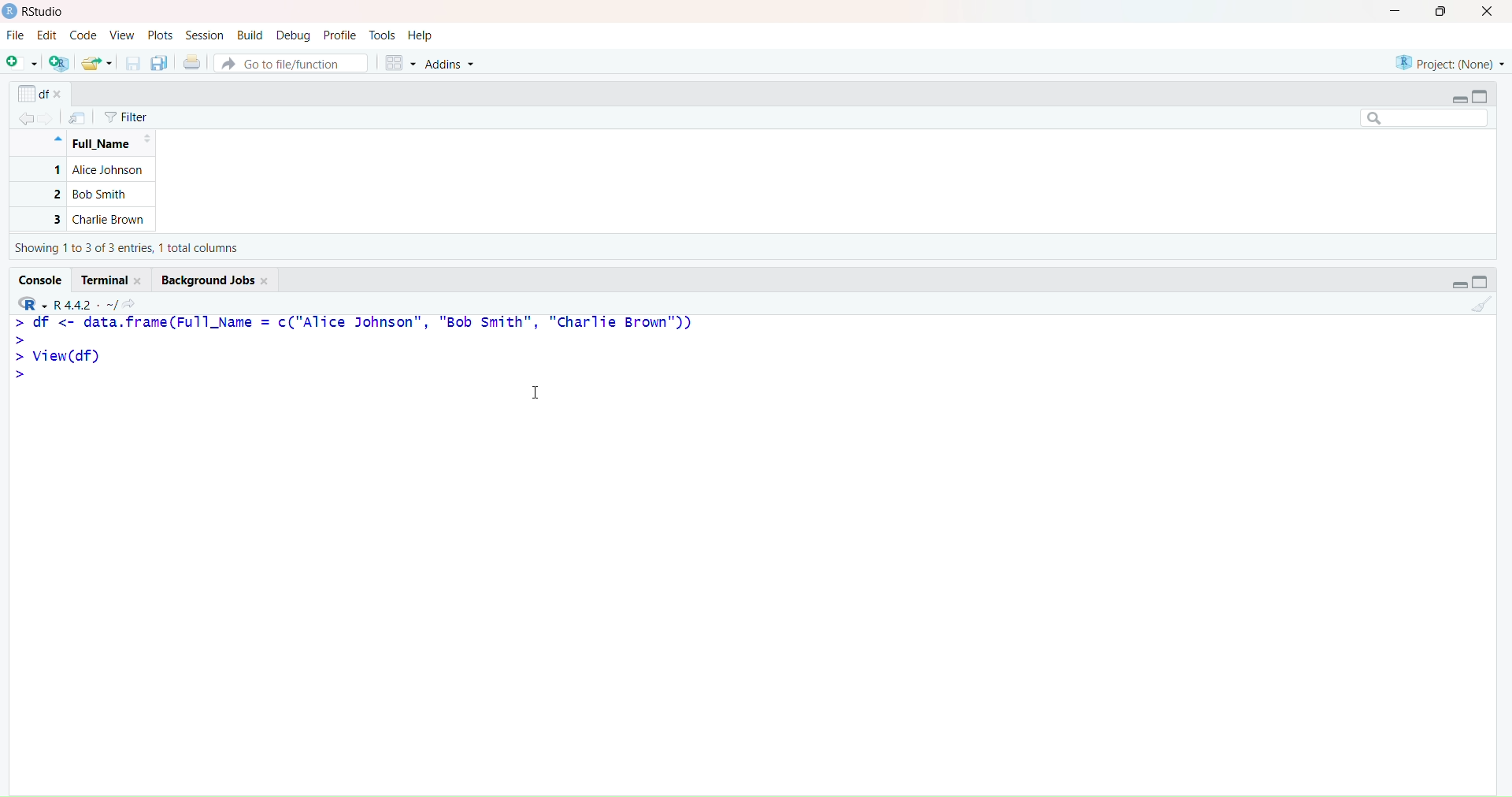 This screenshot has width=1512, height=797. I want to click on Save current document (Ctrl + S), so click(132, 64).